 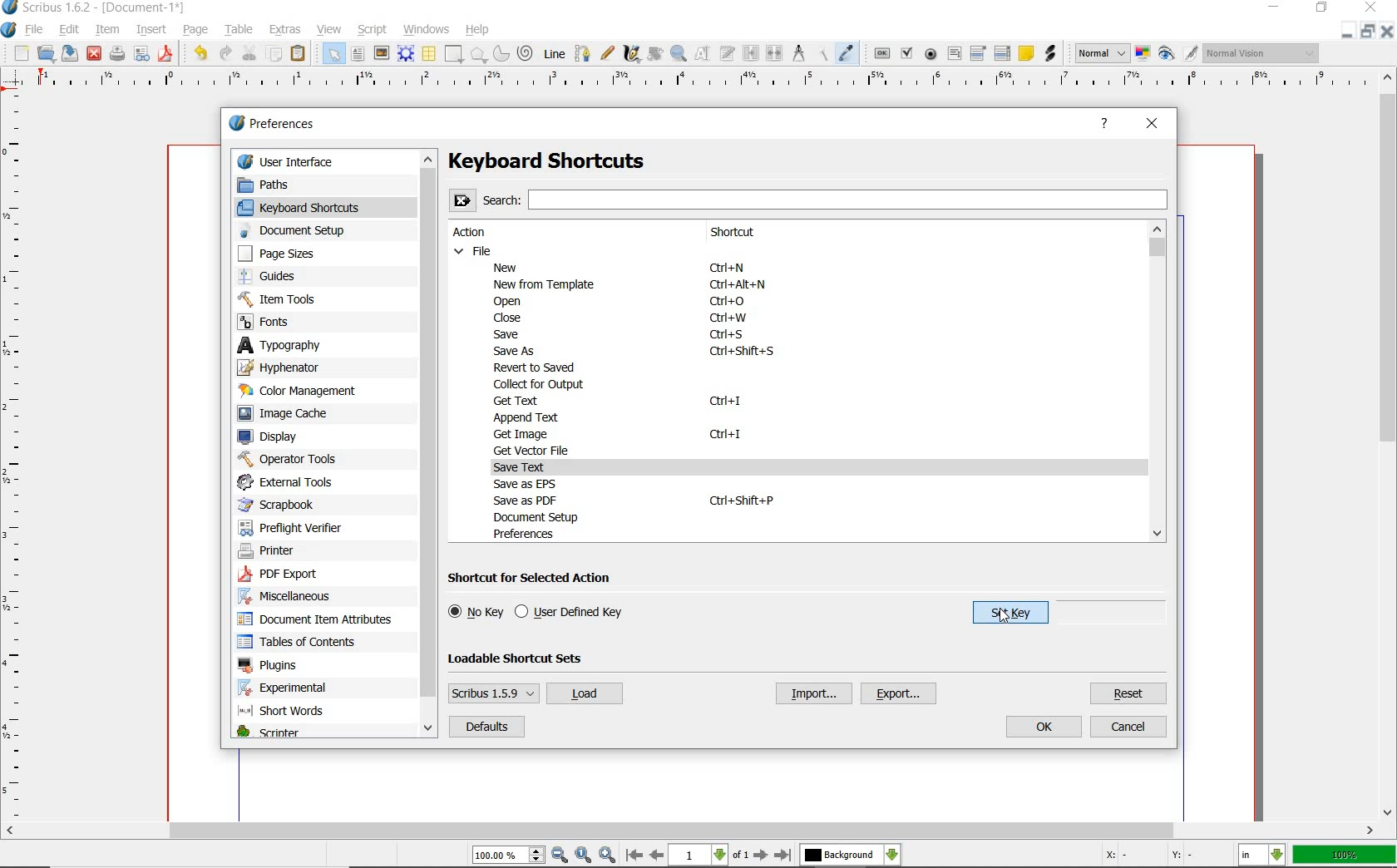 What do you see at coordinates (405, 54) in the screenshot?
I see `render frame` at bounding box center [405, 54].